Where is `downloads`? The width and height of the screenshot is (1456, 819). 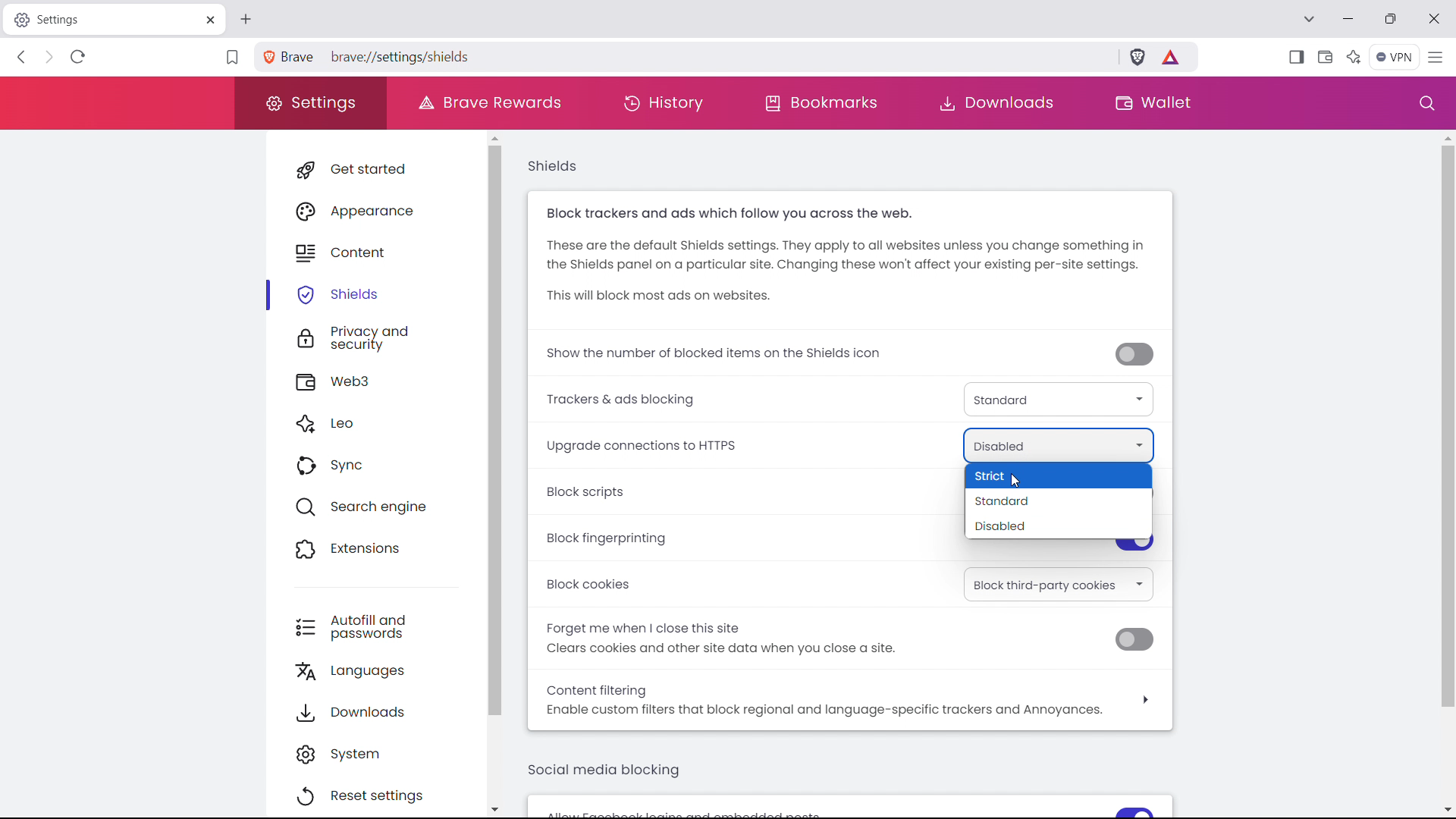
downloads is located at coordinates (999, 100).